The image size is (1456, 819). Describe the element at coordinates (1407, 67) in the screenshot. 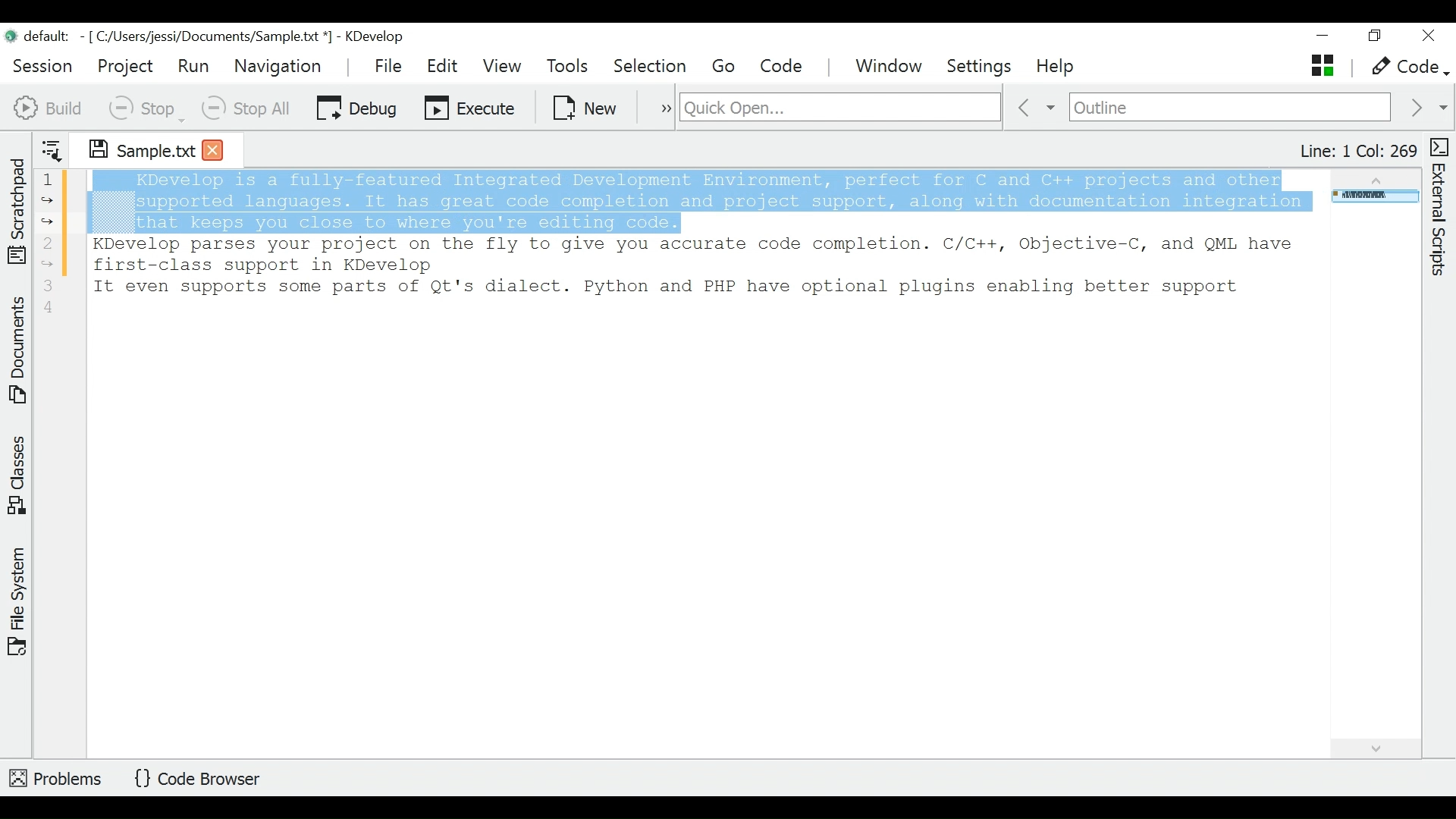

I see `Code` at that location.